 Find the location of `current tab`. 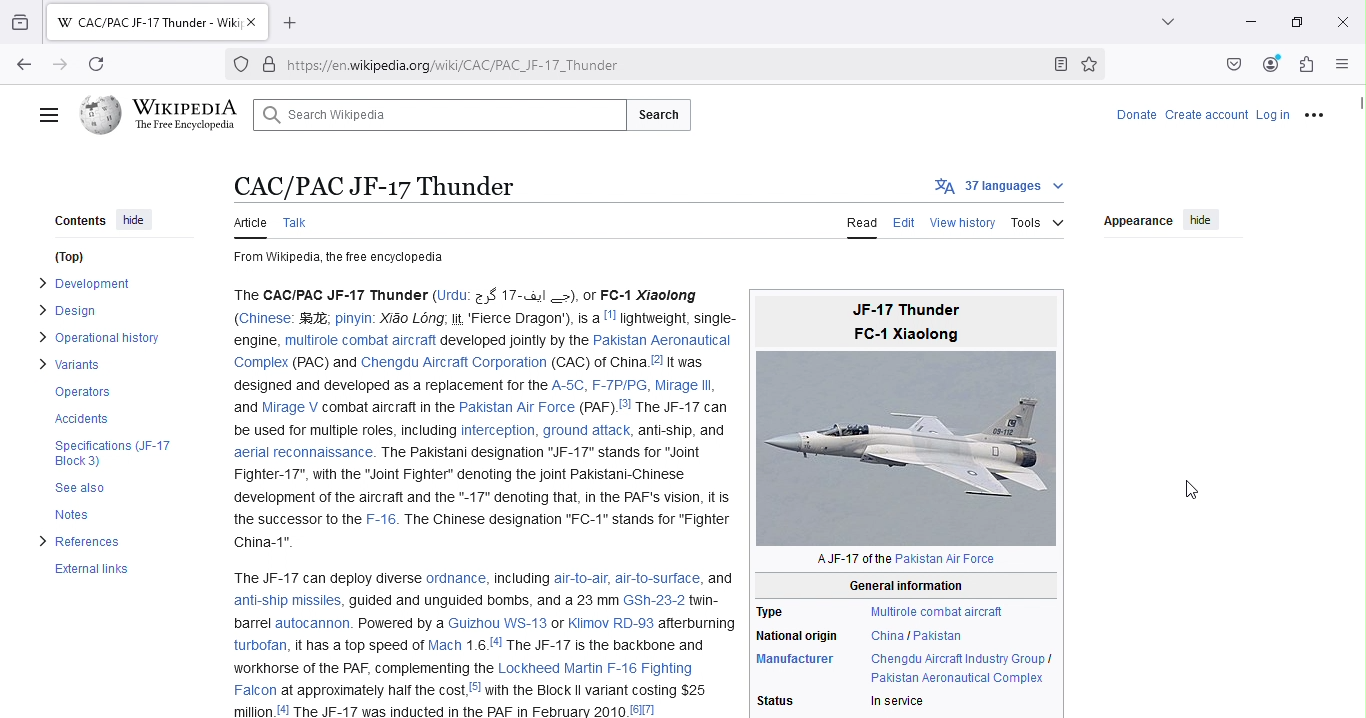

current tab is located at coordinates (149, 24).